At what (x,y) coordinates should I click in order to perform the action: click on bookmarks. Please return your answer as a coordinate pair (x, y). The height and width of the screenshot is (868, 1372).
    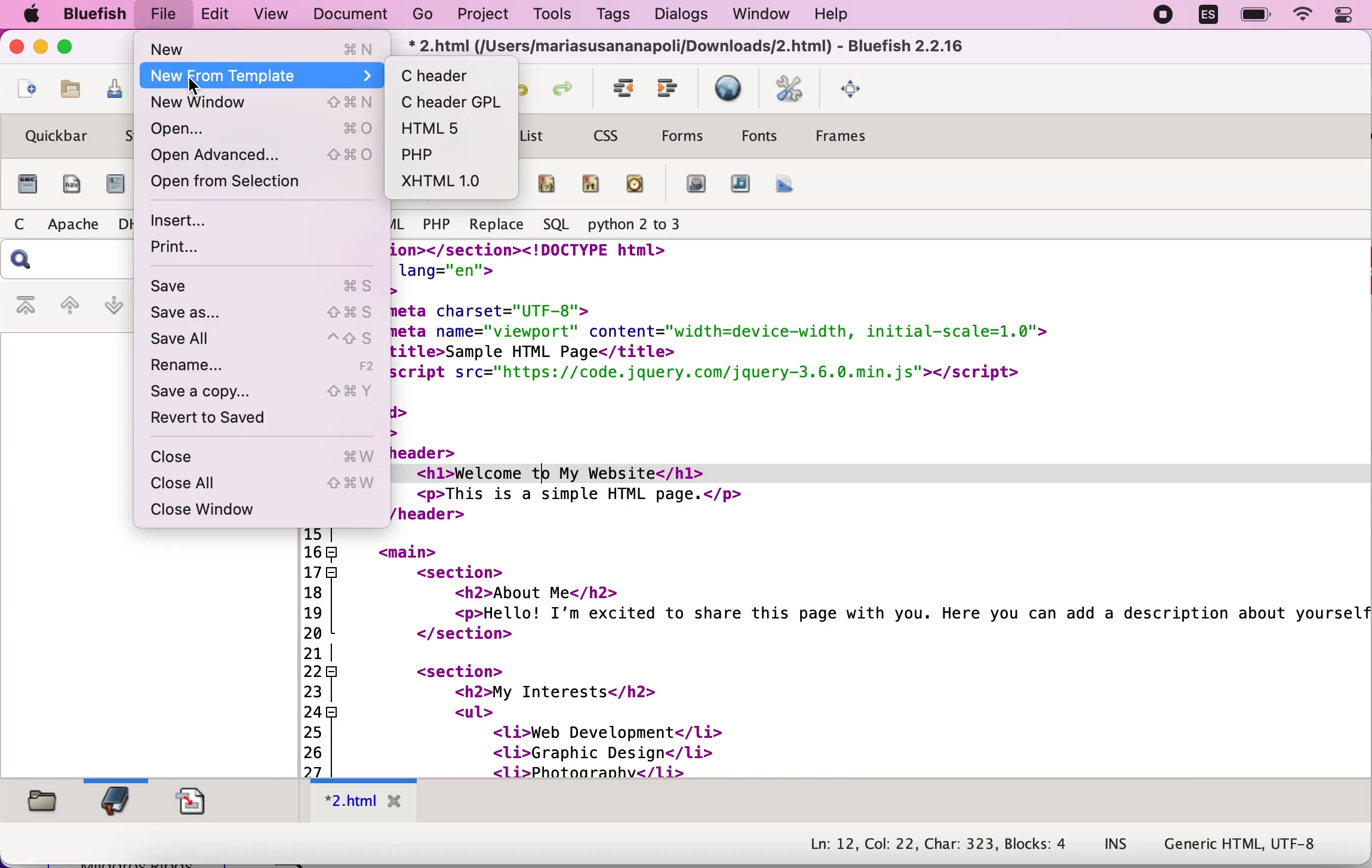
    Looking at the image, I should click on (118, 802).